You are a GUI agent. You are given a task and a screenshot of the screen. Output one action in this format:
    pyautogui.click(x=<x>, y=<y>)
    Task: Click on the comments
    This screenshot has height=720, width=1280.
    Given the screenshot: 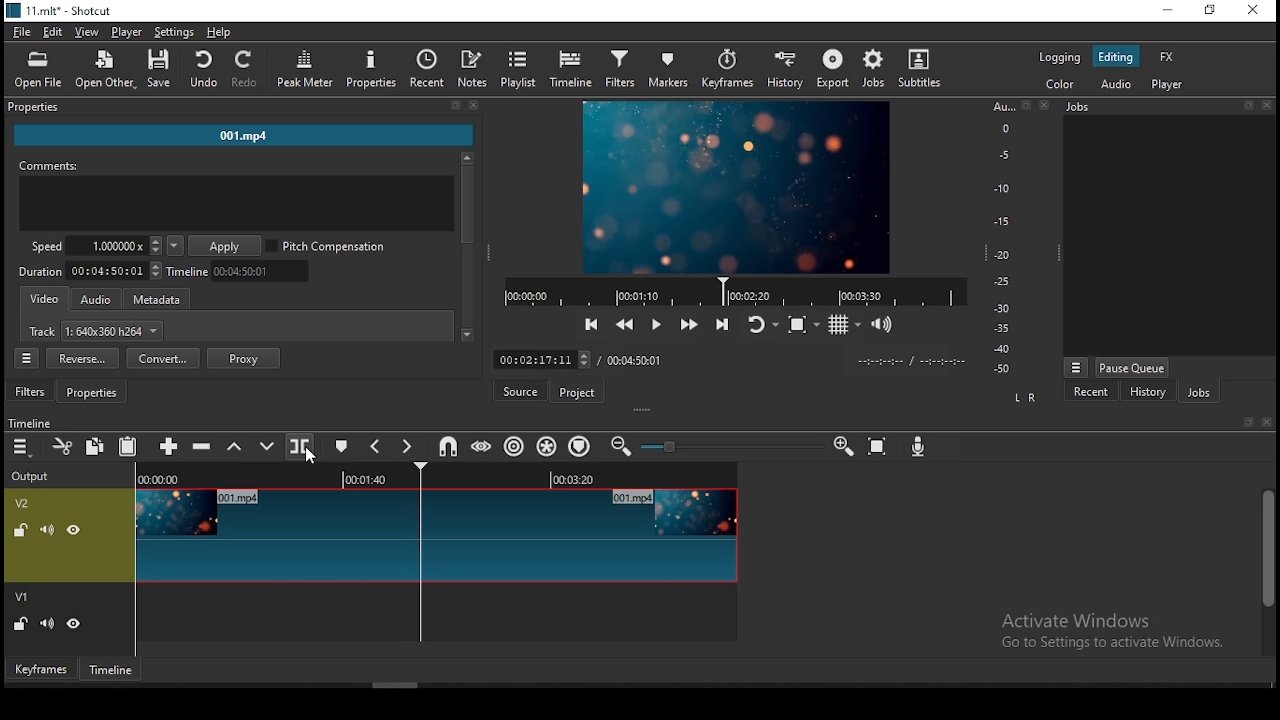 What is the action you would take?
    pyautogui.click(x=237, y=198)
    